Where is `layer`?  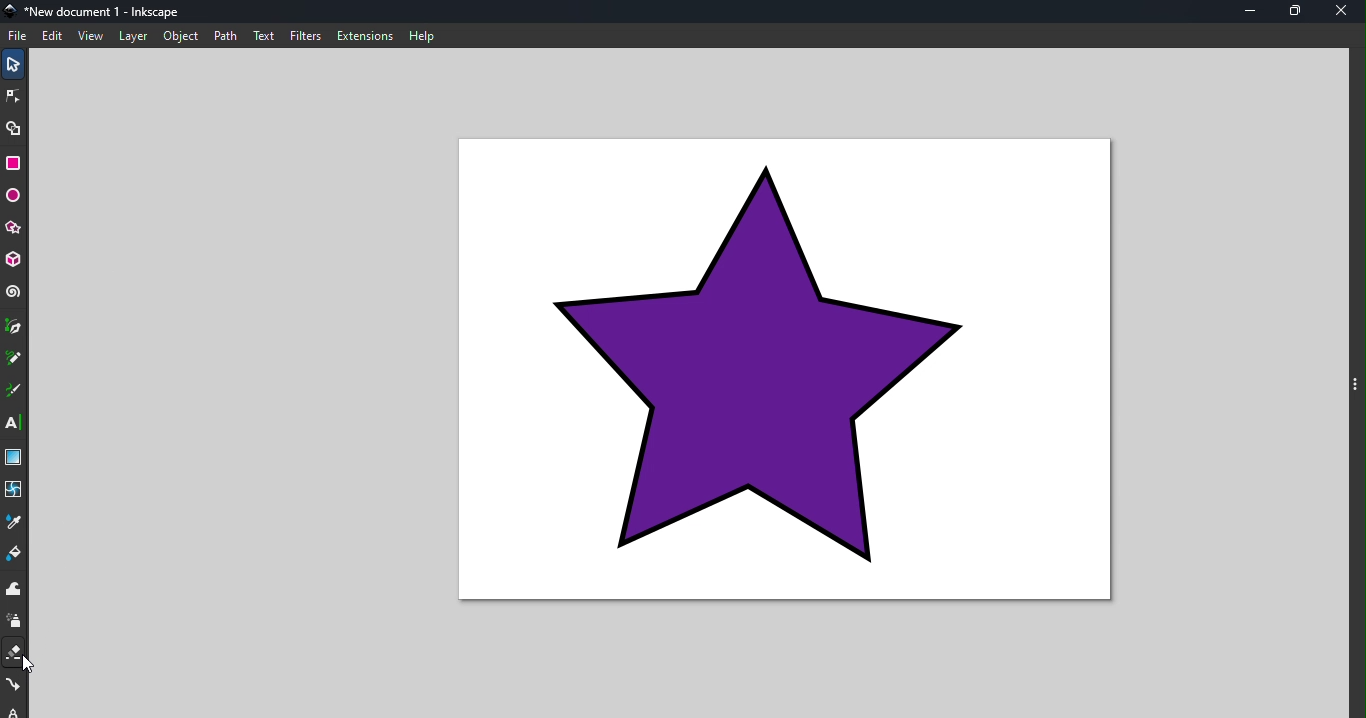
layer is located at coordinates (133, 36).